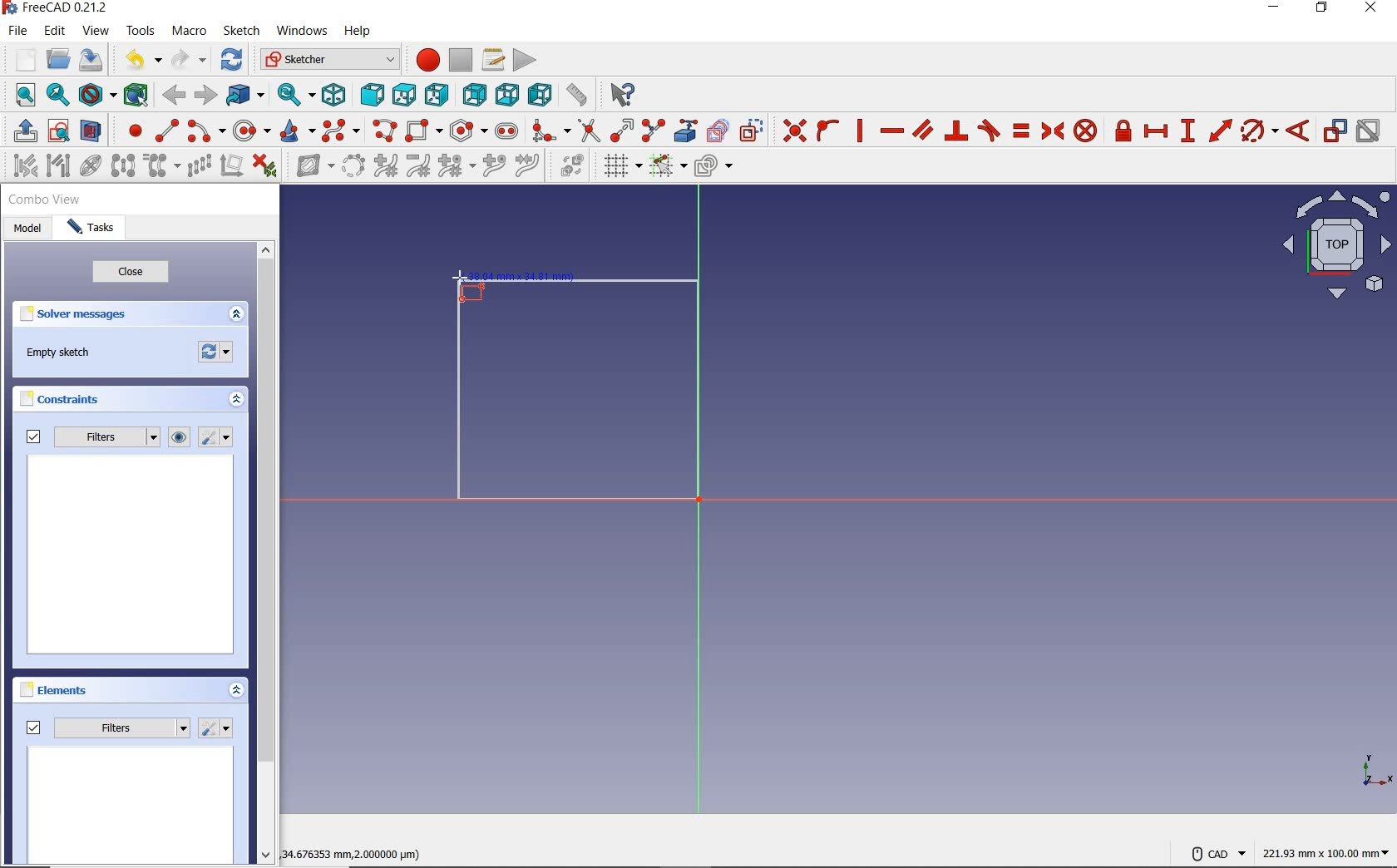 The image size is (1397, 868). I want to click on solver messages, so click(101, 315).